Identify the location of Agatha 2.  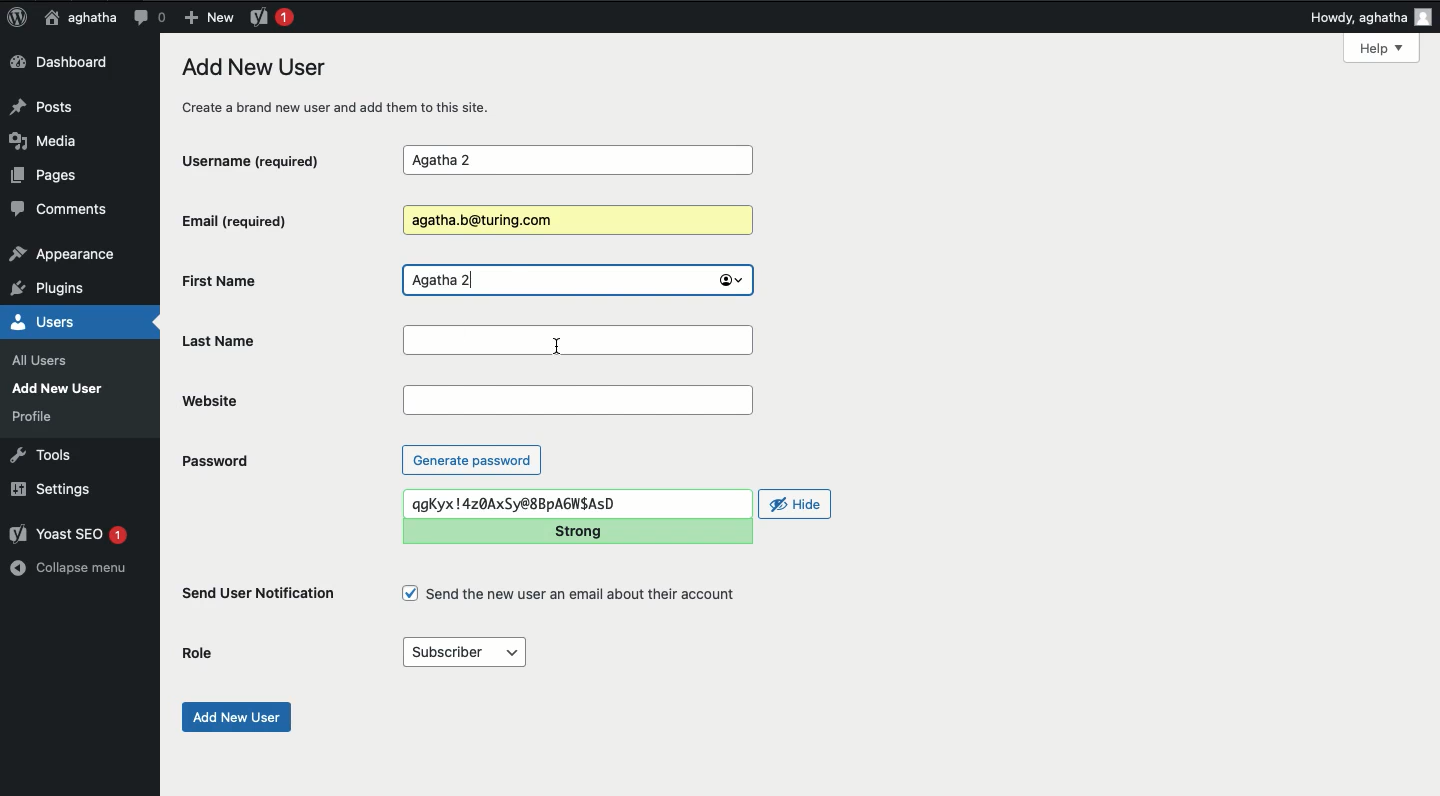
(577, 161).